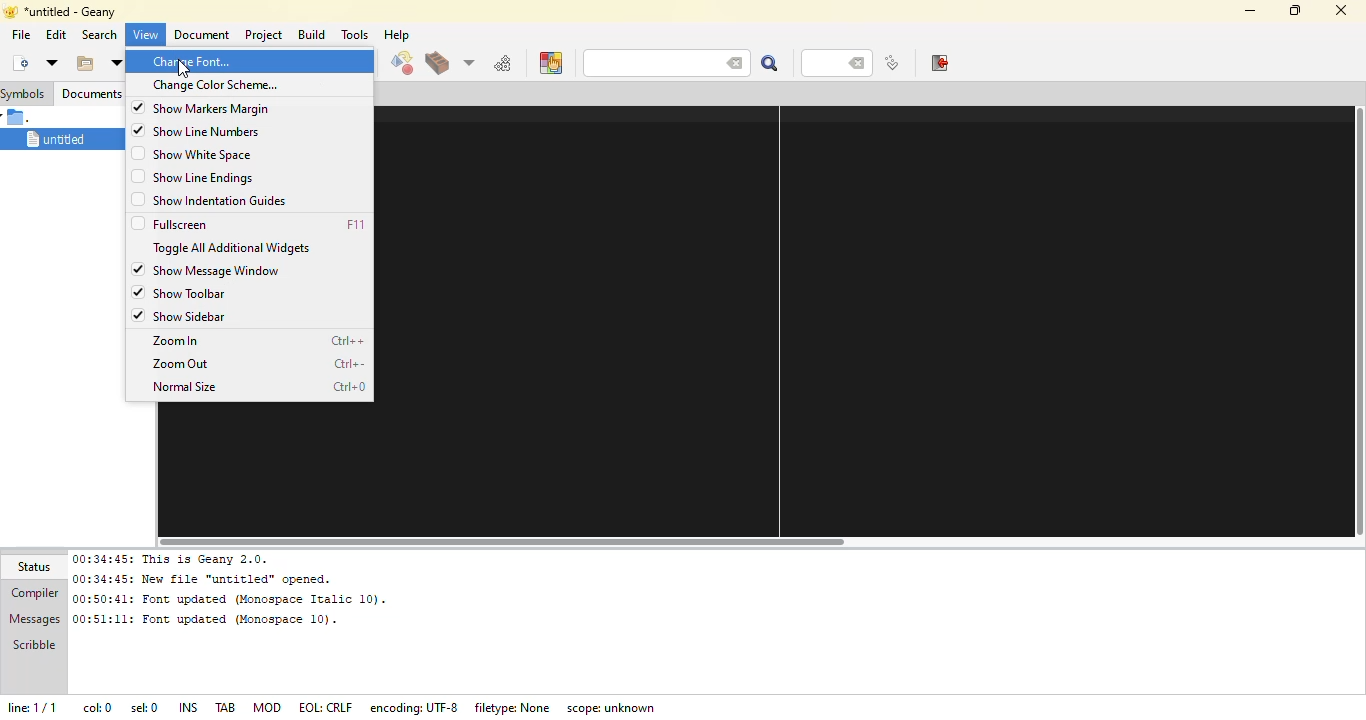 This screenshot has height=720, width=1366. Describe the element at coordinates (115, 63) in the screenshot. I see `open recent file` at that location.